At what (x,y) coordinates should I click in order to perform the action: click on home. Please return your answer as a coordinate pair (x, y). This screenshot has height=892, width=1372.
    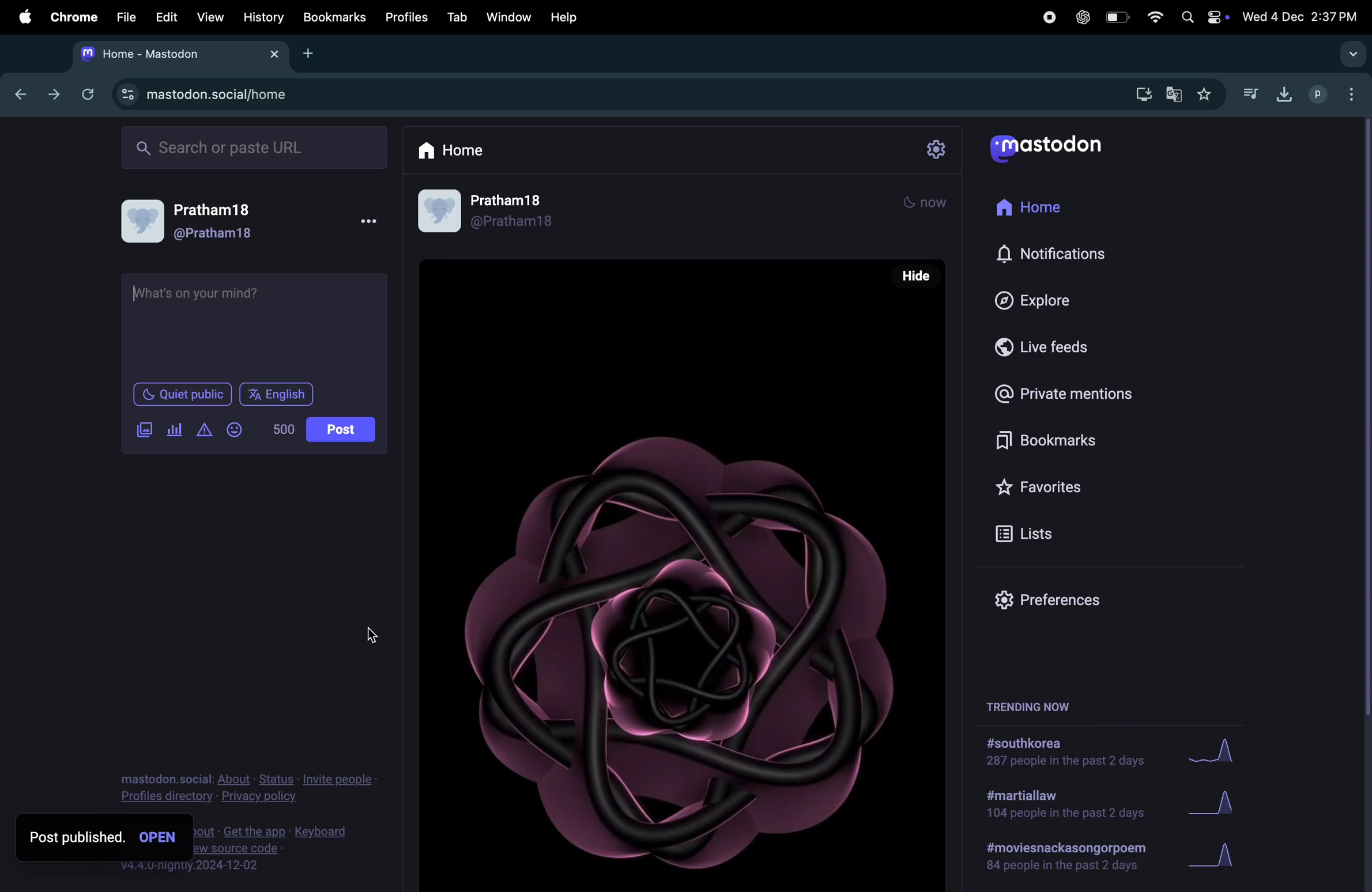
    Looking at the image, I should click on (1032, 209).